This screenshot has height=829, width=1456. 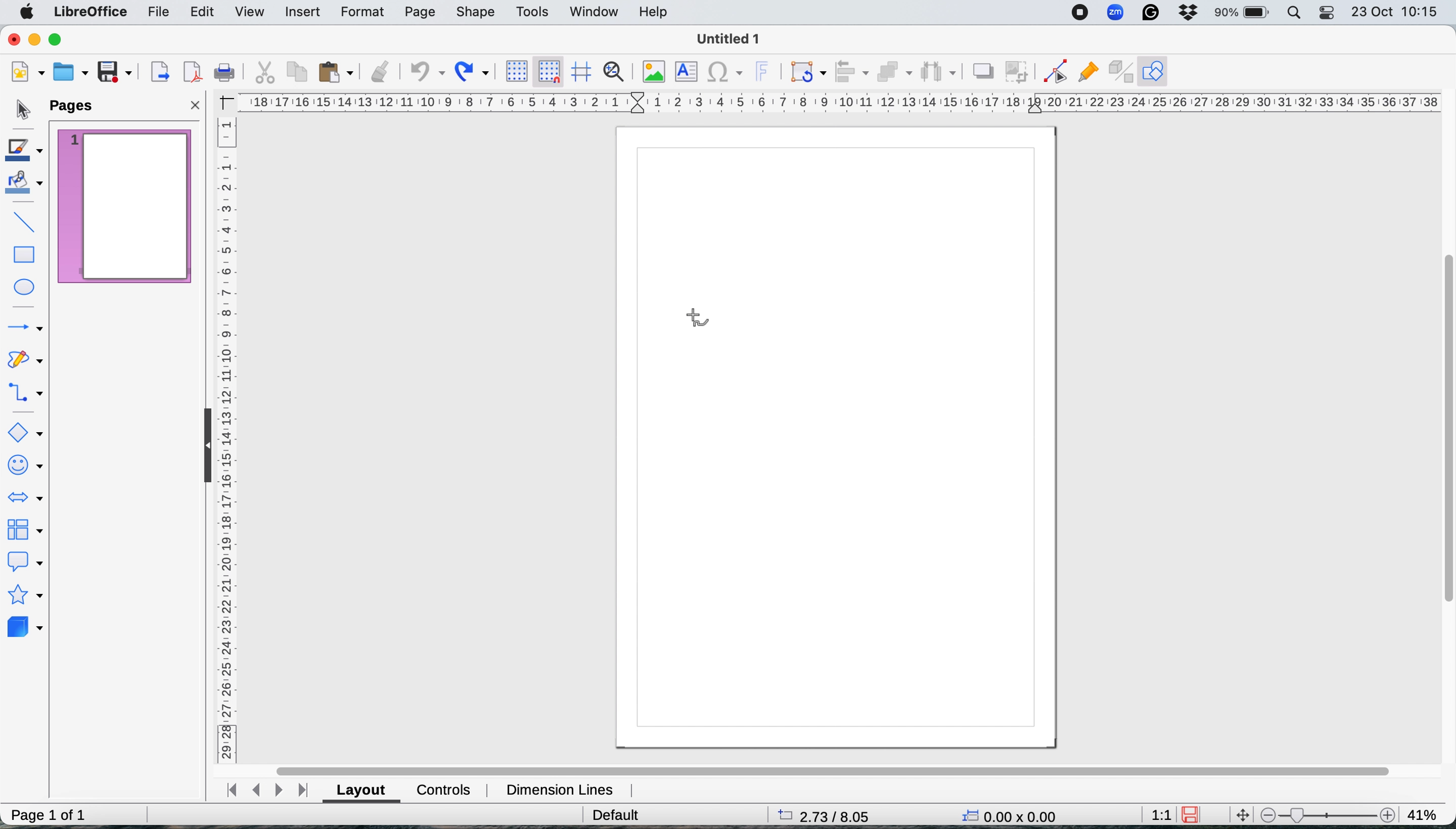 What do you see at coordinates (56, 39) in the screenshot?
I see `maximise` at bounding box center [56, 39].